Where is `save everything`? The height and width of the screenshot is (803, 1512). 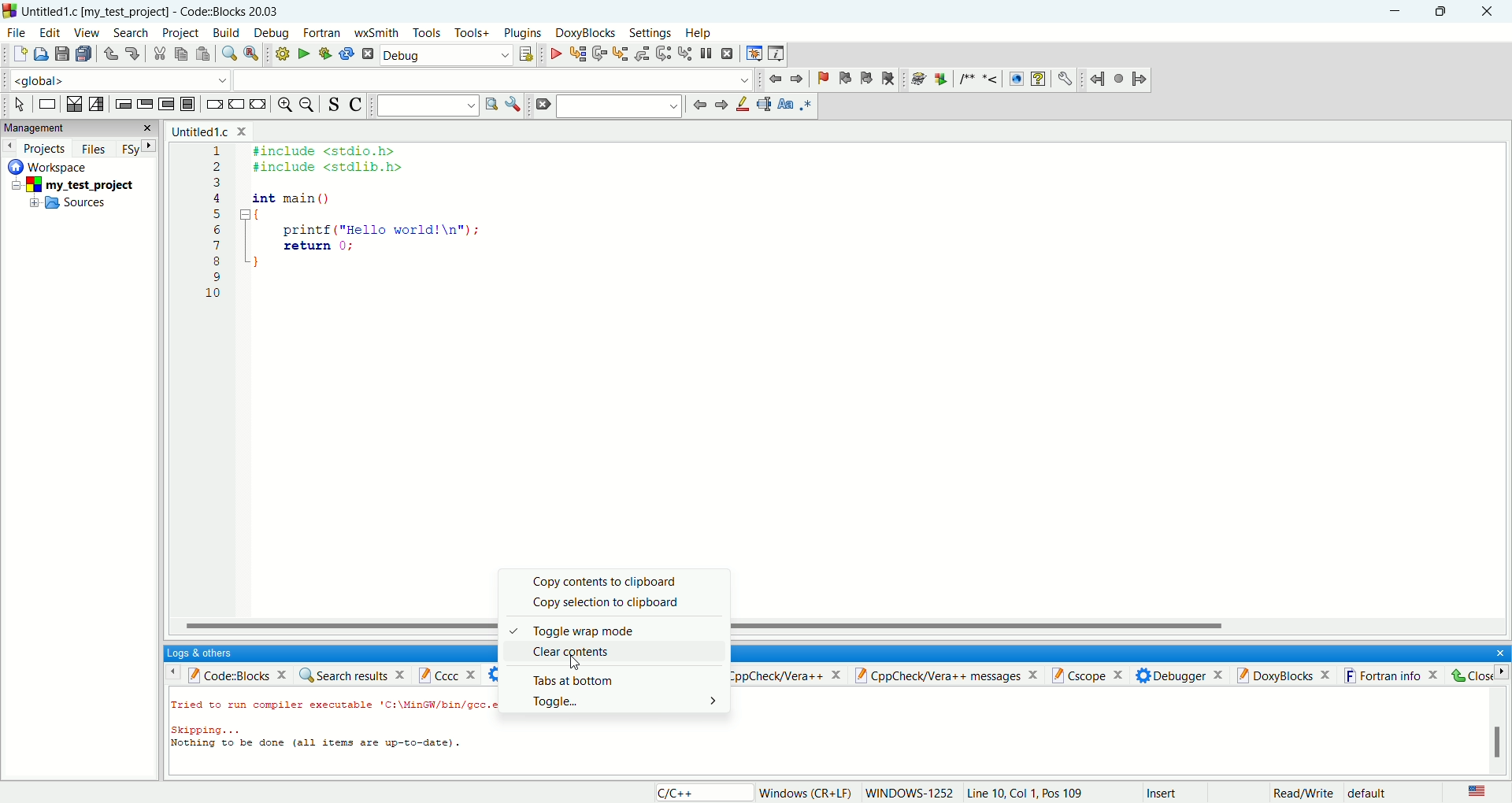 save everything is located at coordinates (83, 54).